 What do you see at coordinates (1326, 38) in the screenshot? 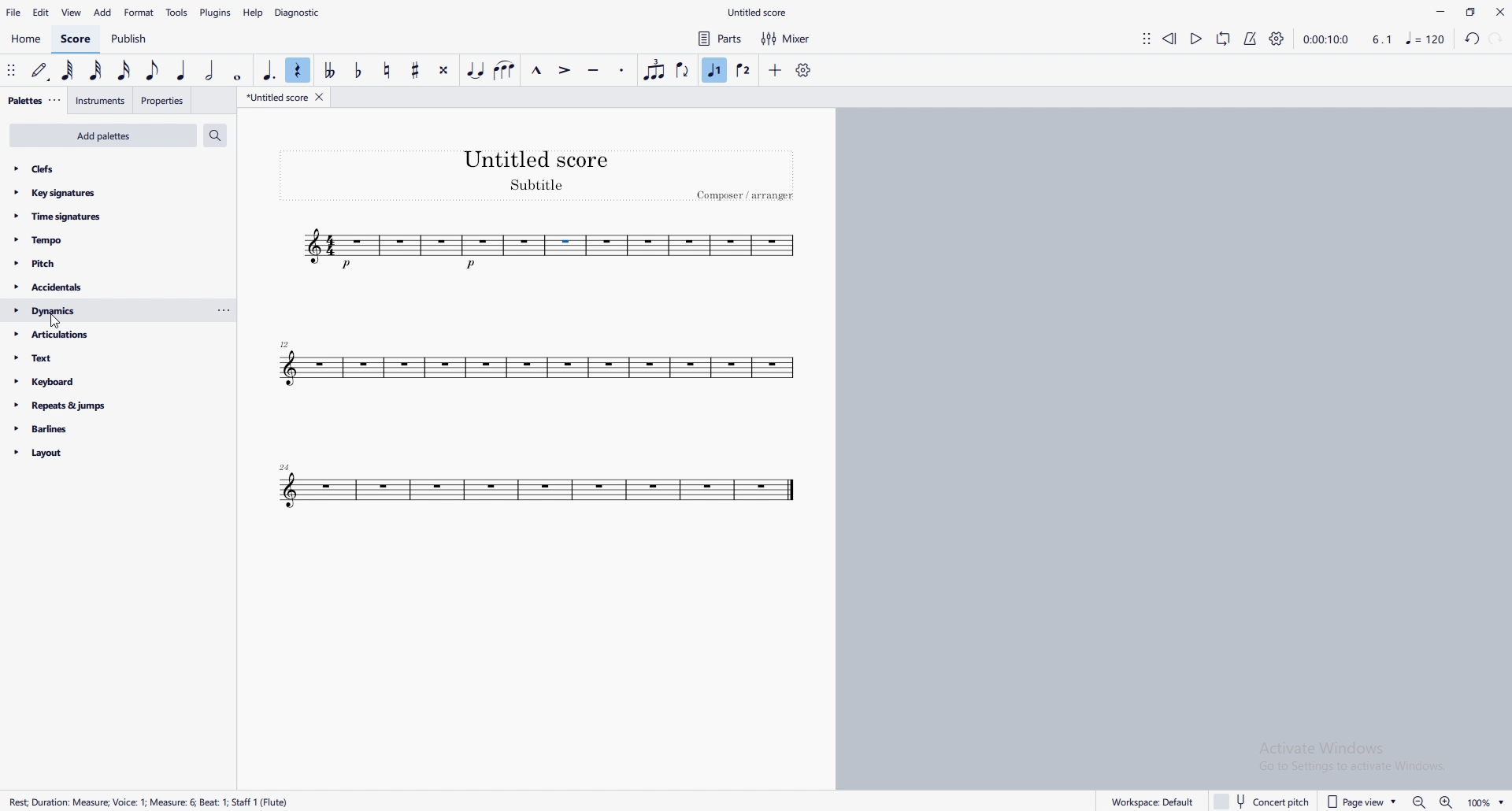
I see `time` at bounding box center [1326, 38].